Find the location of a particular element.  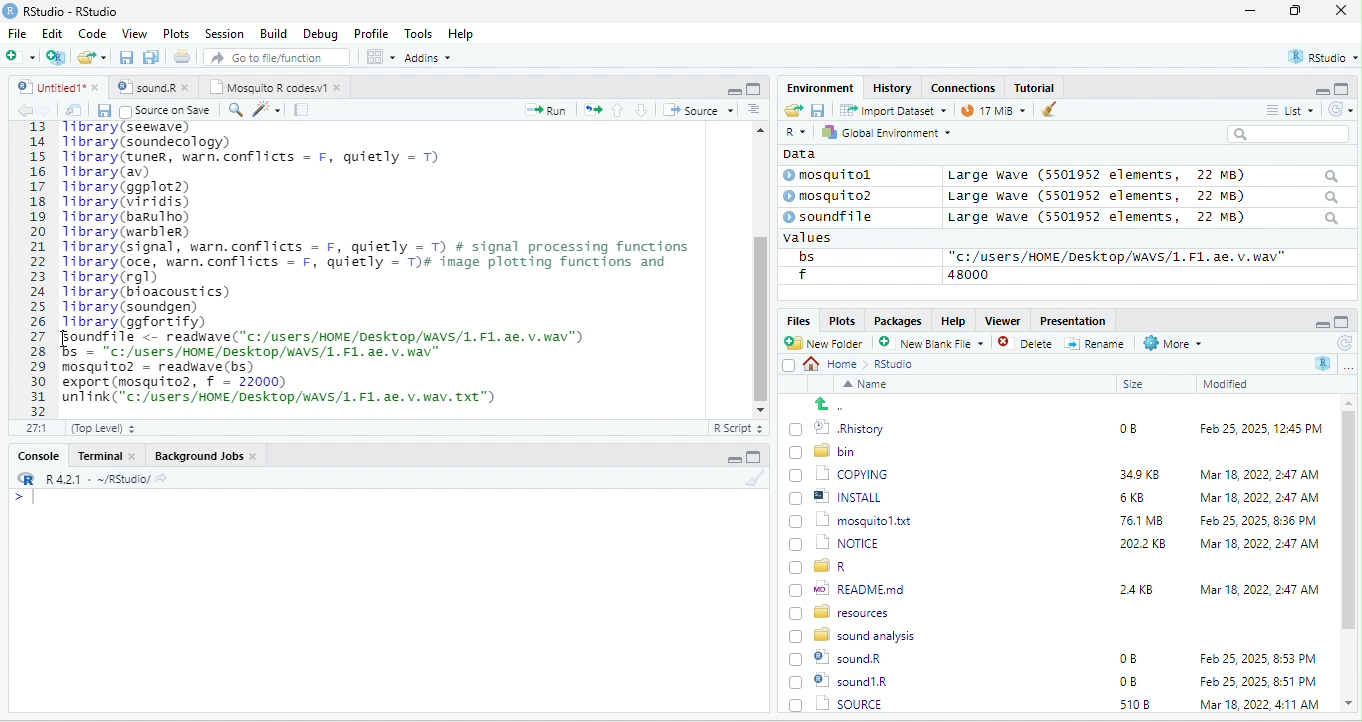

bs is located at coordinates (803, 256).